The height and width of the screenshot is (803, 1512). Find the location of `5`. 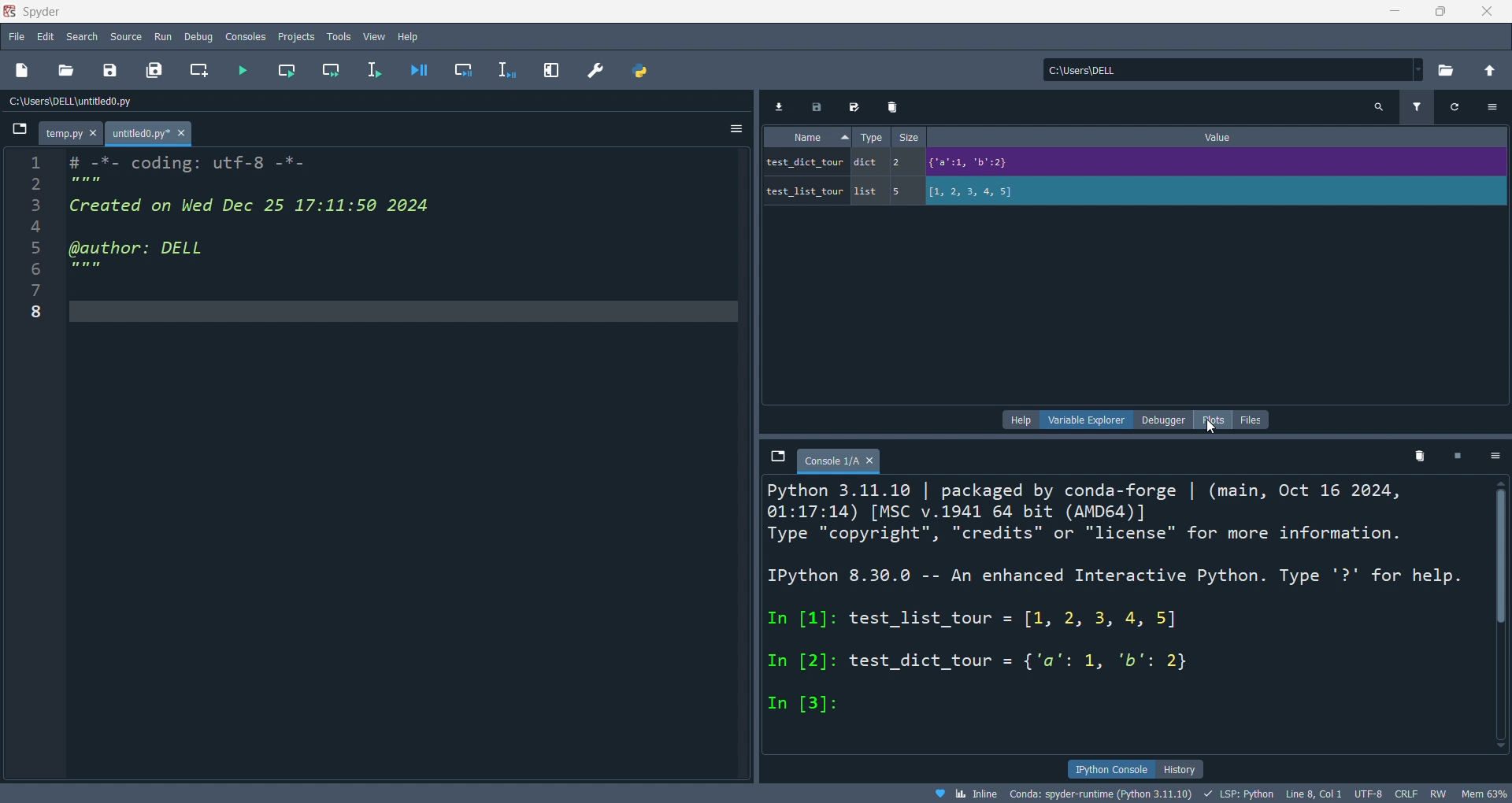

5 is located at coordinates (899, 193).